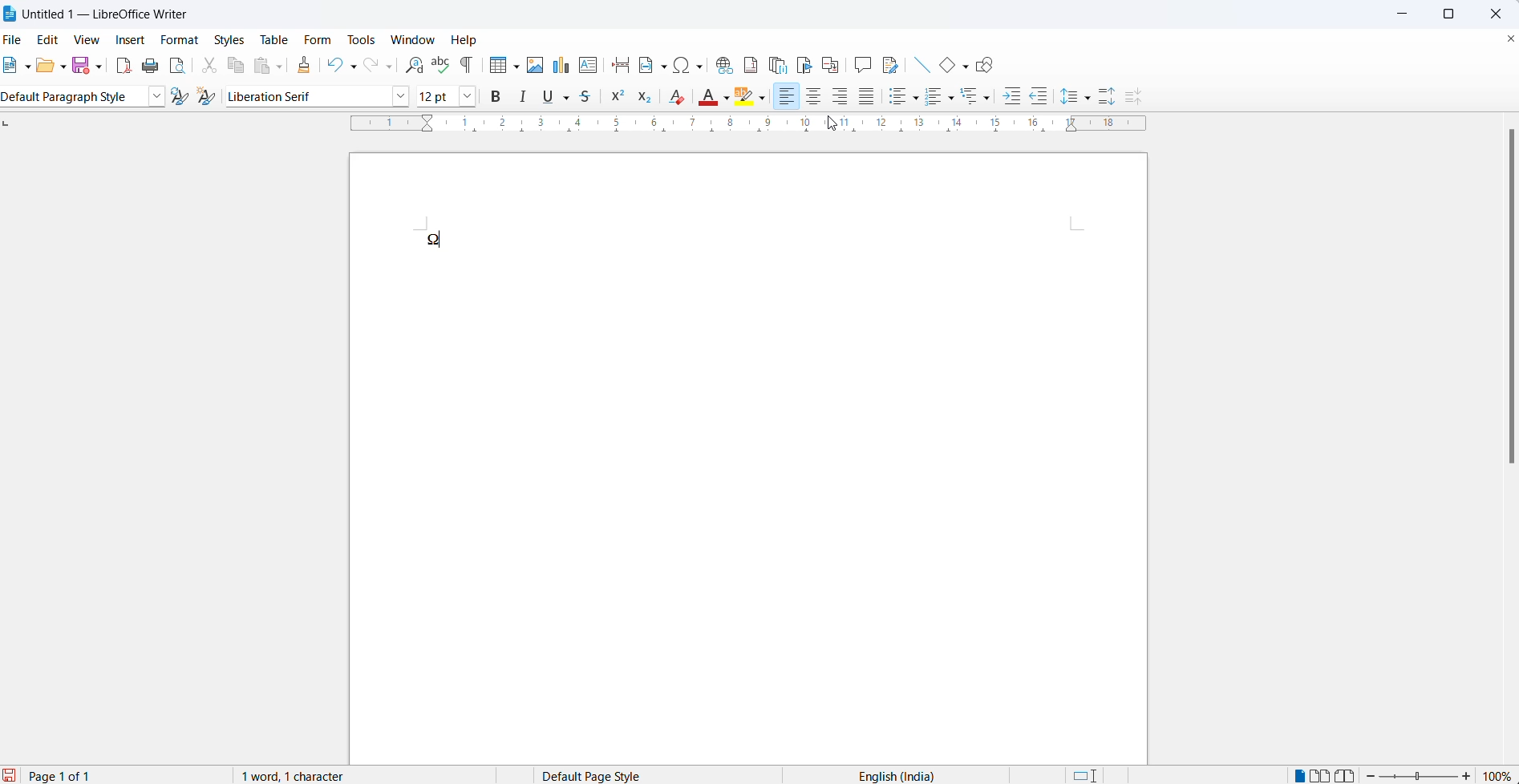  What do you see at coordinates (1509, 40) in the screenshot?
I see `close document` at bounding box center [1509, 40].